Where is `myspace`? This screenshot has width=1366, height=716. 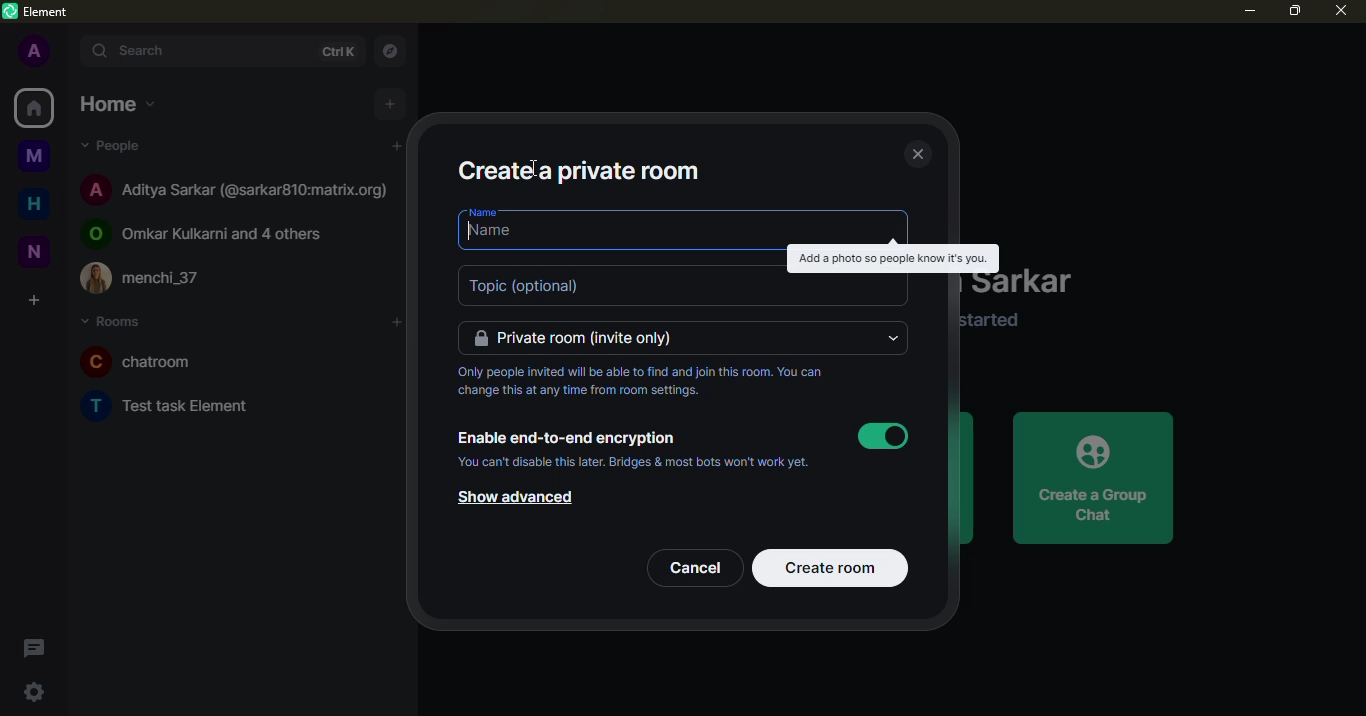
myspace is located at coordinates (36, 158).